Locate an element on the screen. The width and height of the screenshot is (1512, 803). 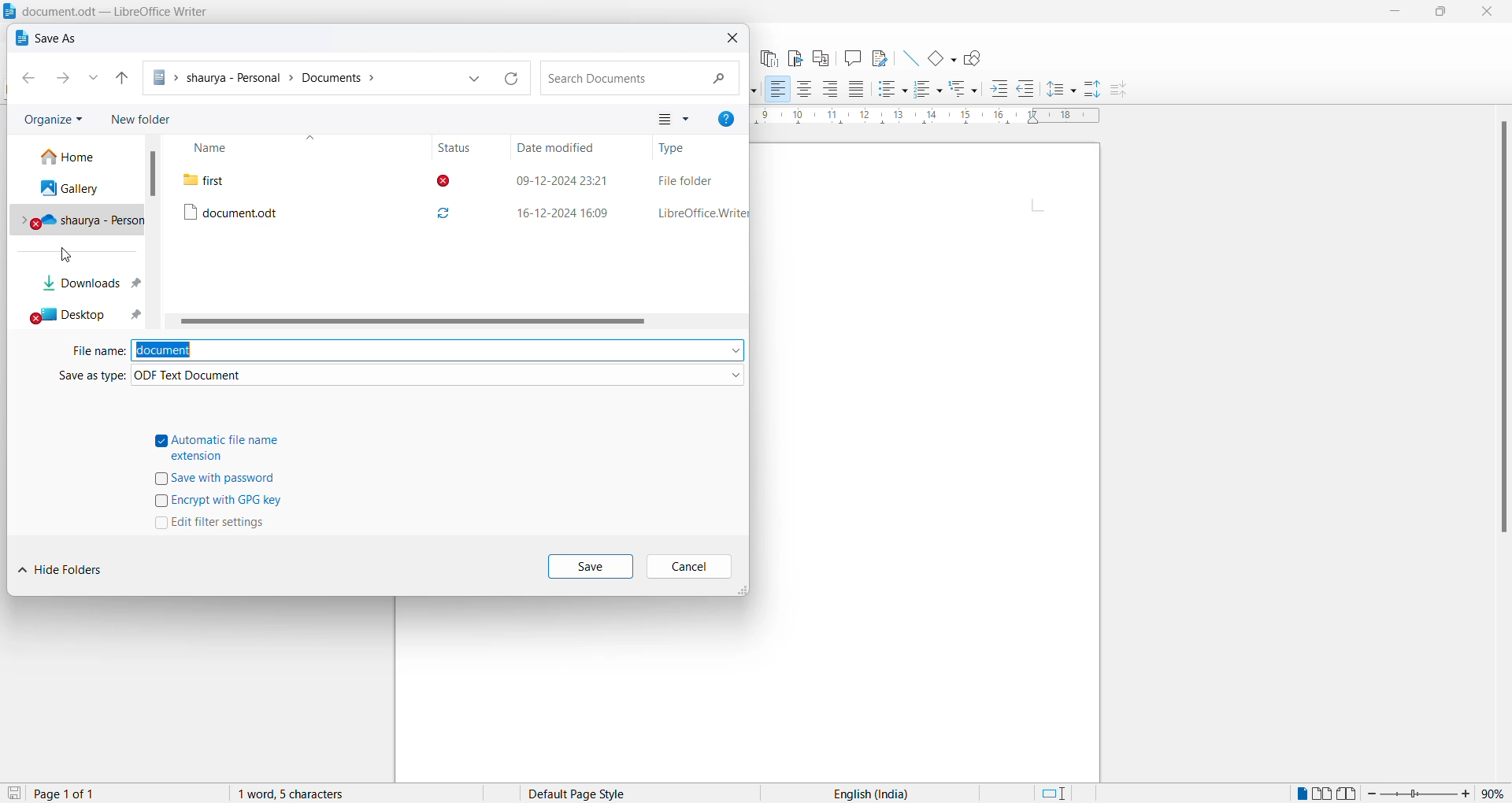
insert endnote is located at coordinates (767, 58).